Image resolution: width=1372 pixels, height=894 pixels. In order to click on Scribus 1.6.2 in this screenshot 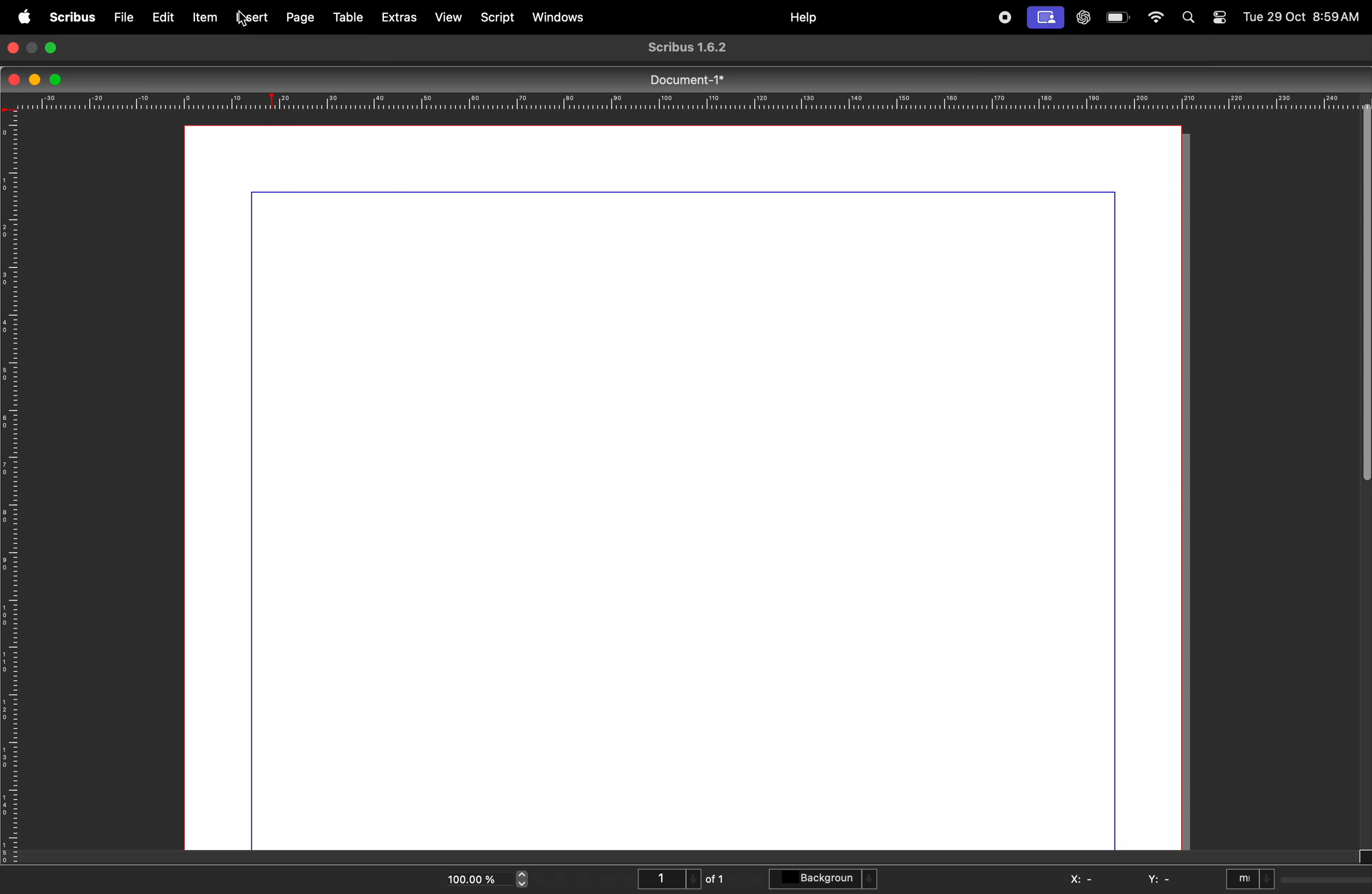, I will do `click(693, 48)`.